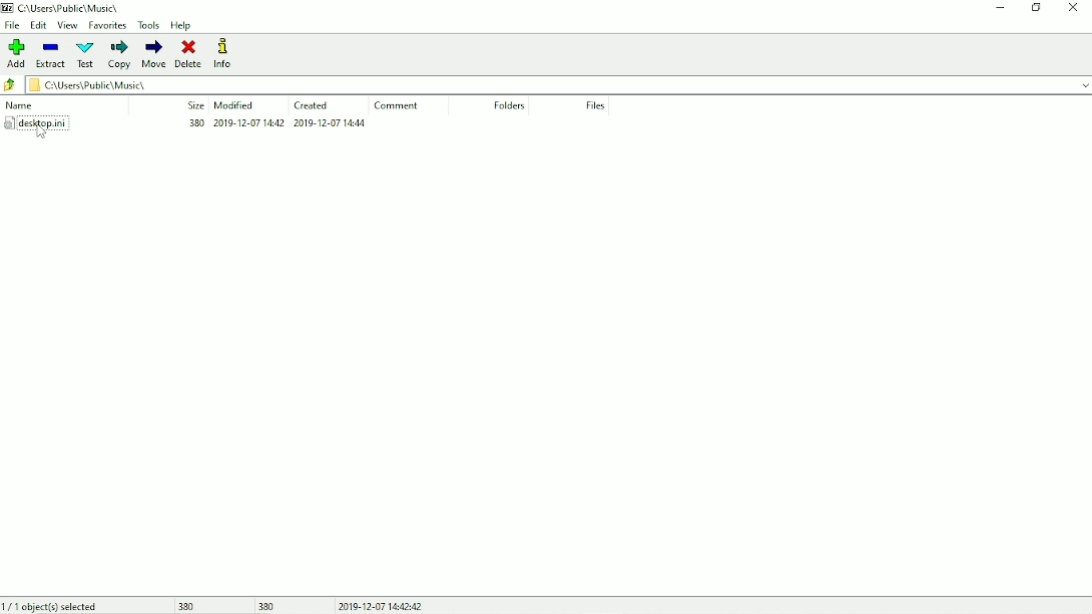  I want to click on Files, so click(596, 105).